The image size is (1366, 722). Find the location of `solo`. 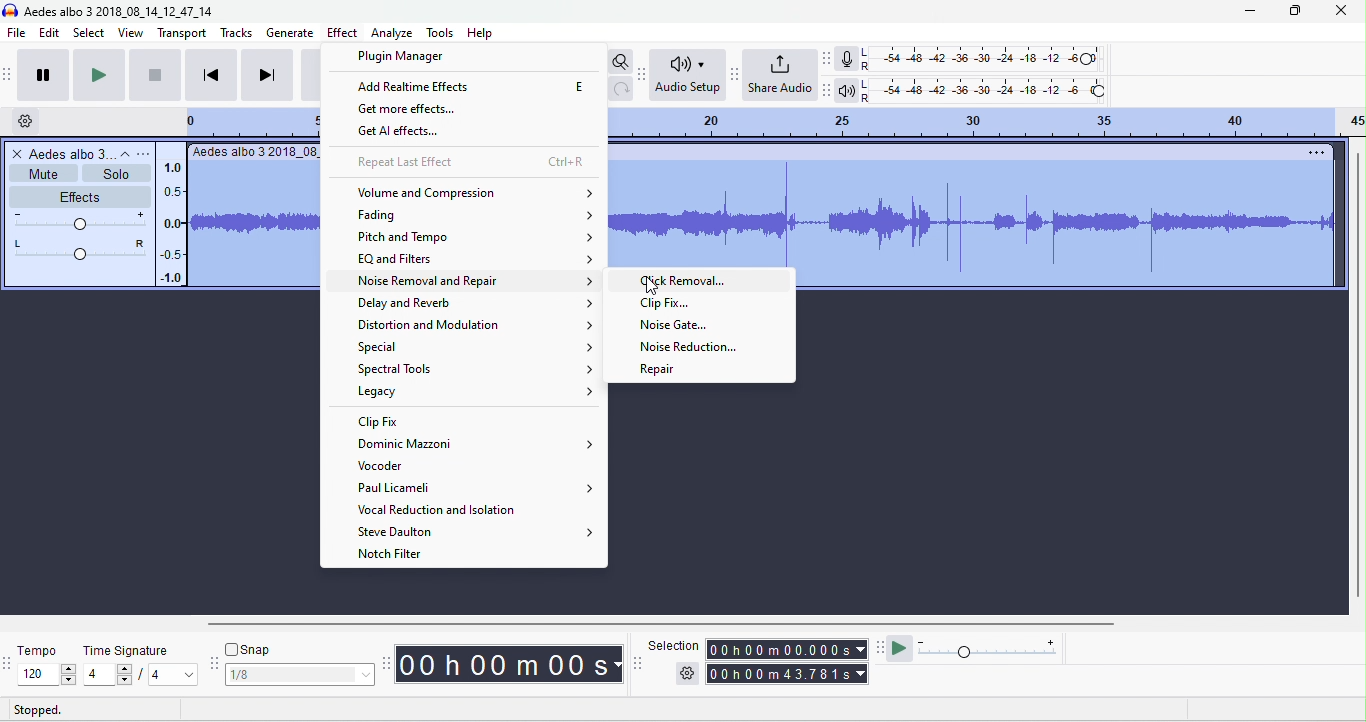

solo is located at coordinates (115, 174).